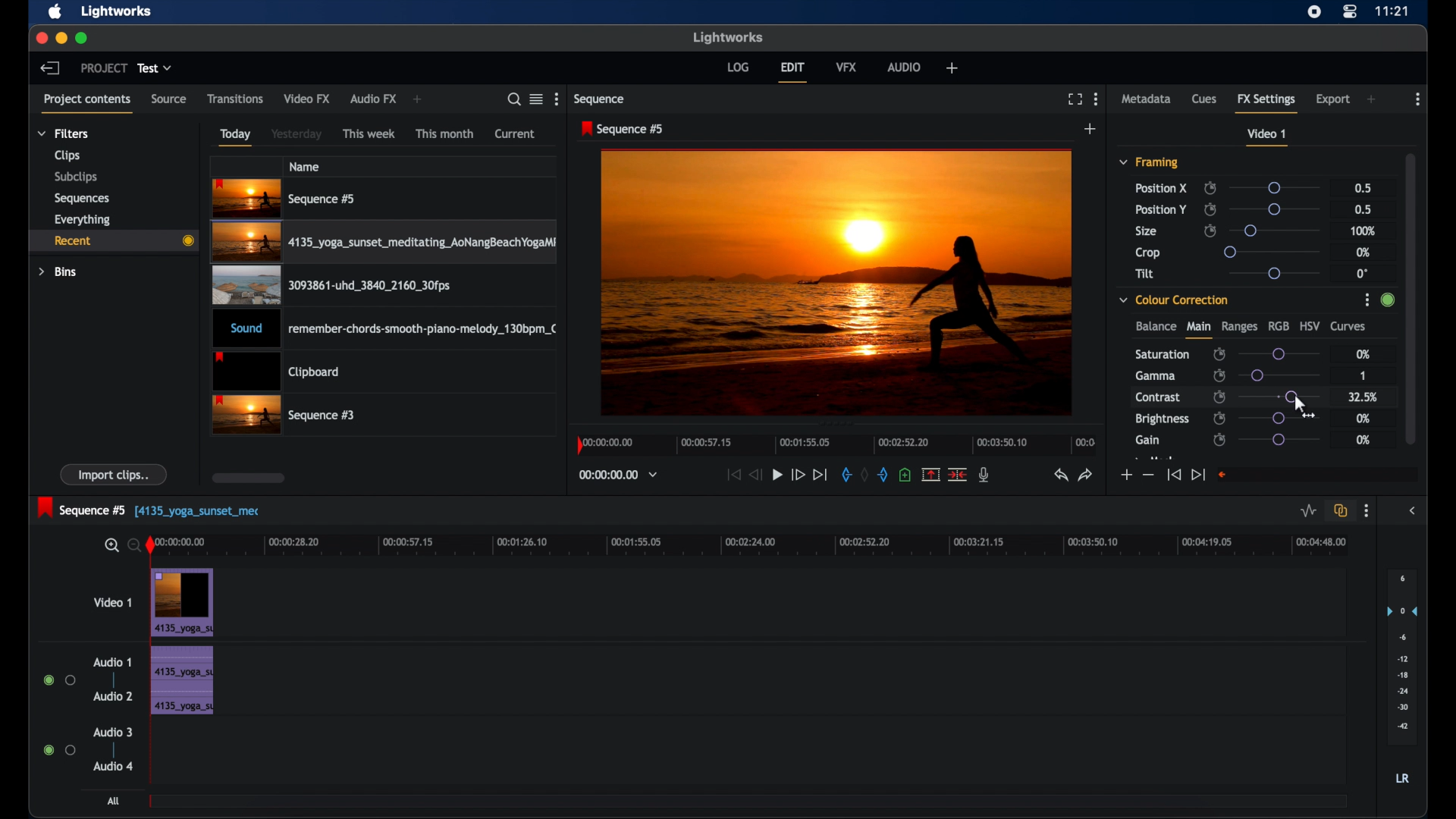  Describe the element at coordinates (905, 67) in the screenshot. I see `audio` at that location.